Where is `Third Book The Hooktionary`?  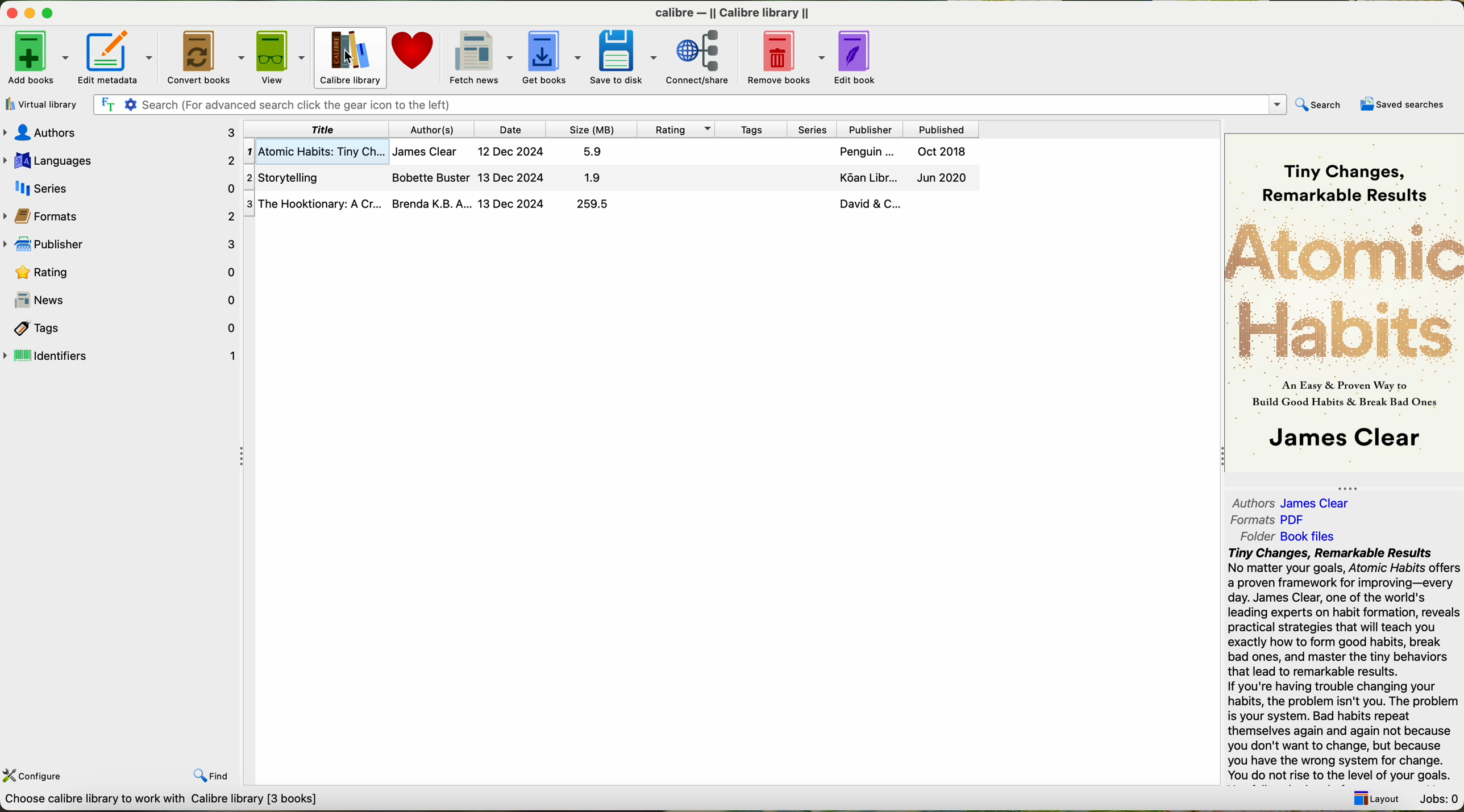
Third Book The Hooktionary is located at coordinates (611, 205).